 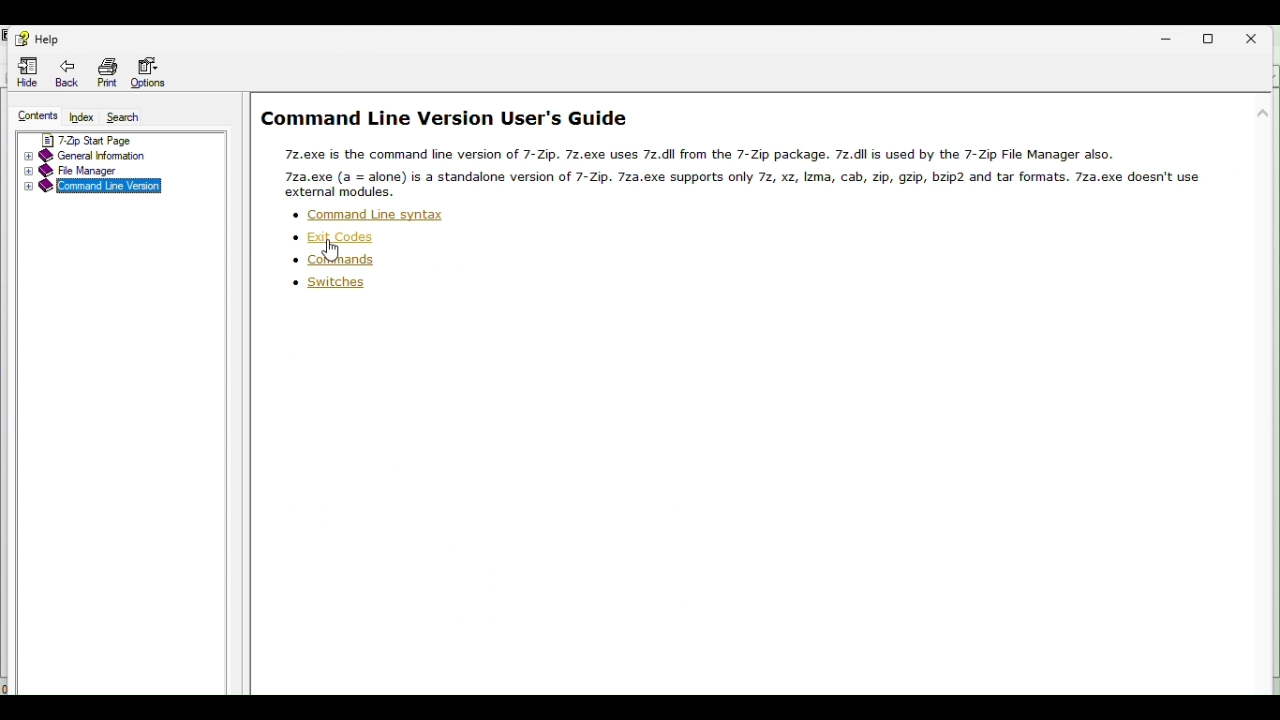 What do you see at coordinates (35, 116) in the screenshot?
I see `Contents` at bounding box center [35, 116].